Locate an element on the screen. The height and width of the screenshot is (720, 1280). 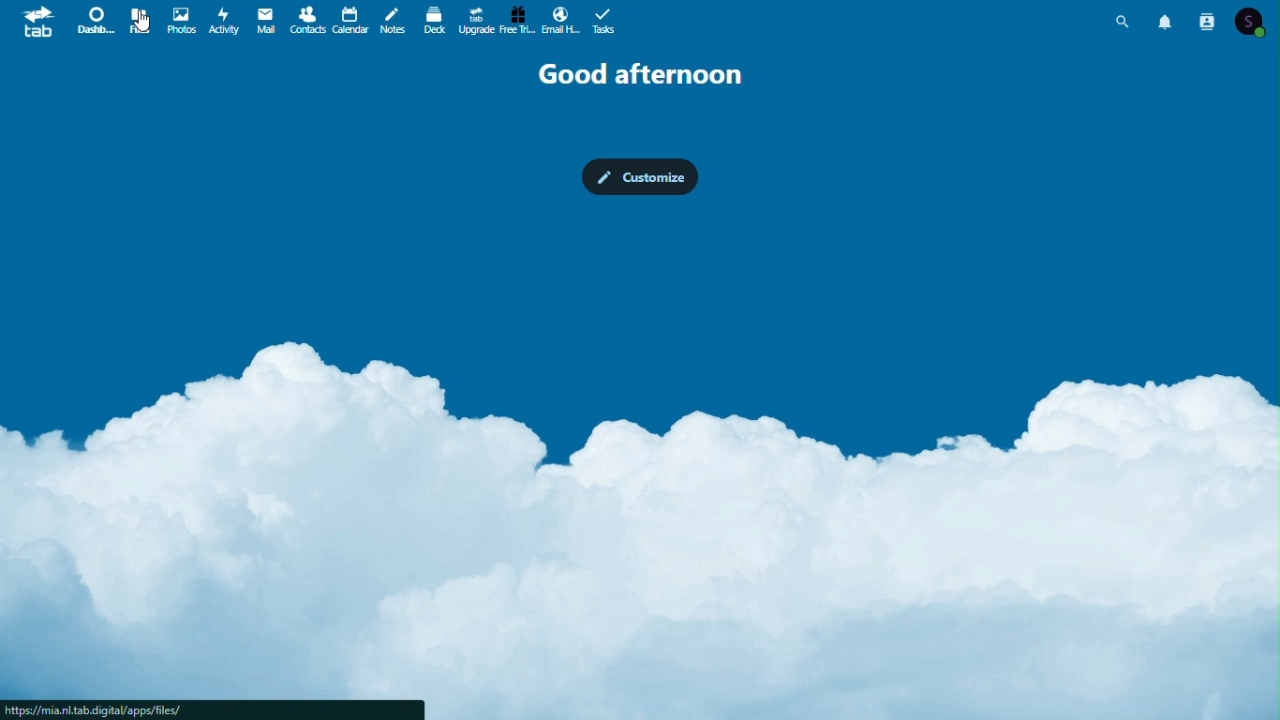
email hosting is located at coordinates (562, 21).